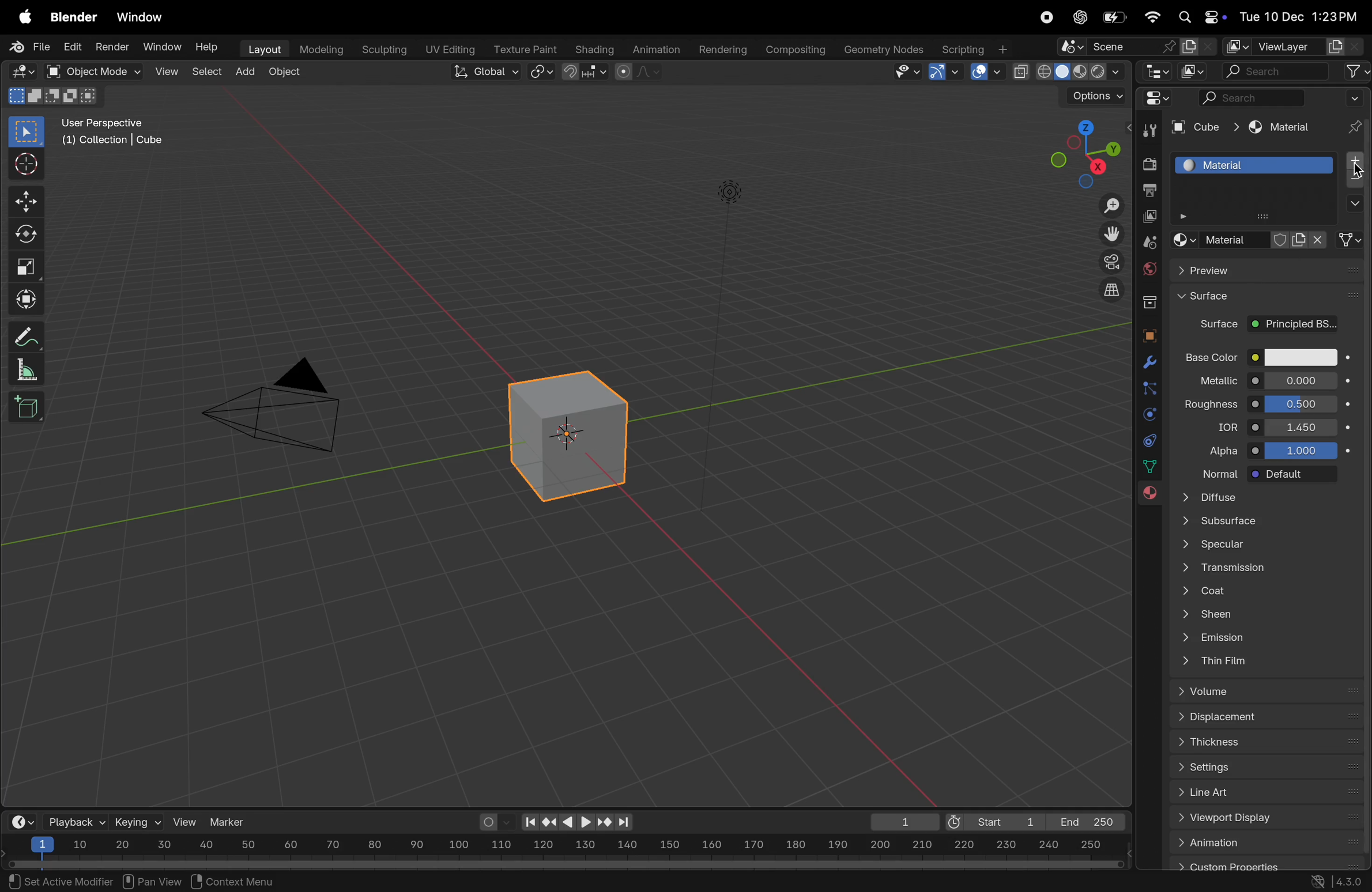 Image resolution: width=1372 pixels, height=892 pixels. What do you see at coordinates (119, 131) in the screenshot?
I see `user perspective` at bounding box center [119, 131].